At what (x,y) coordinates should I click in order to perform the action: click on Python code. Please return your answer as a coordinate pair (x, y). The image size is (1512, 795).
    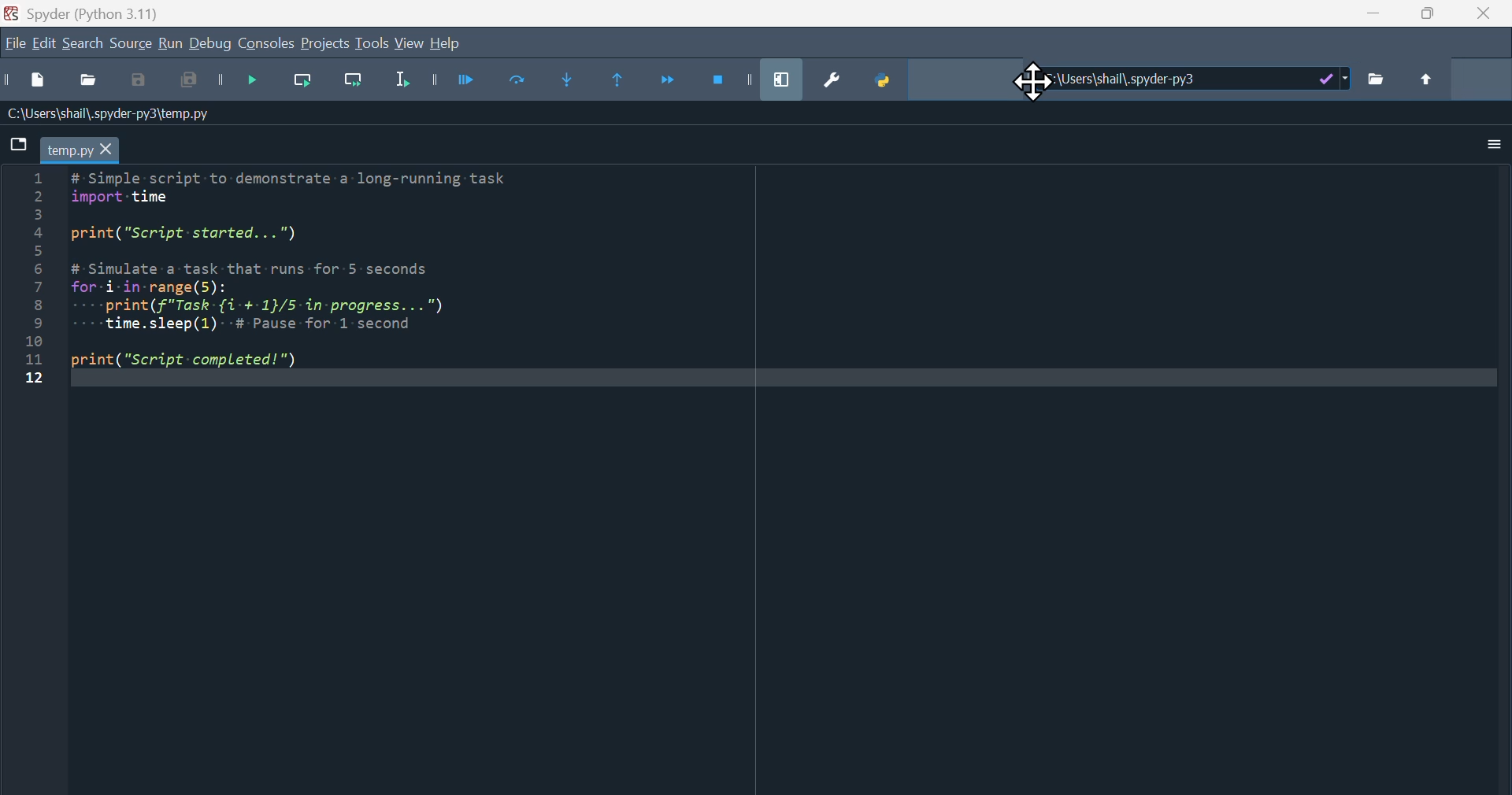
    Looking at the image, I should click on (283, 282).